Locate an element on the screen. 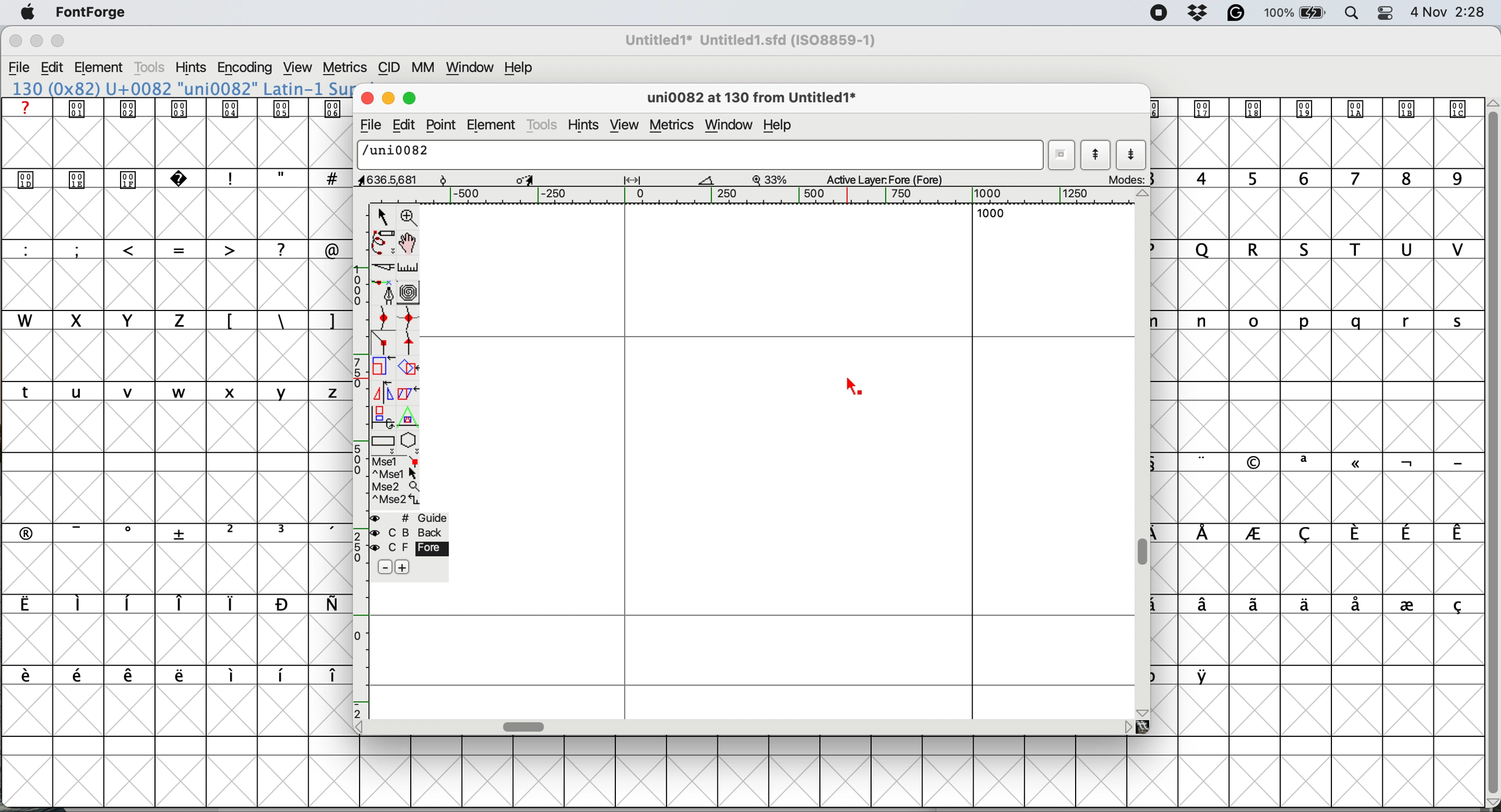  mm is located at coordinates (426, 68).